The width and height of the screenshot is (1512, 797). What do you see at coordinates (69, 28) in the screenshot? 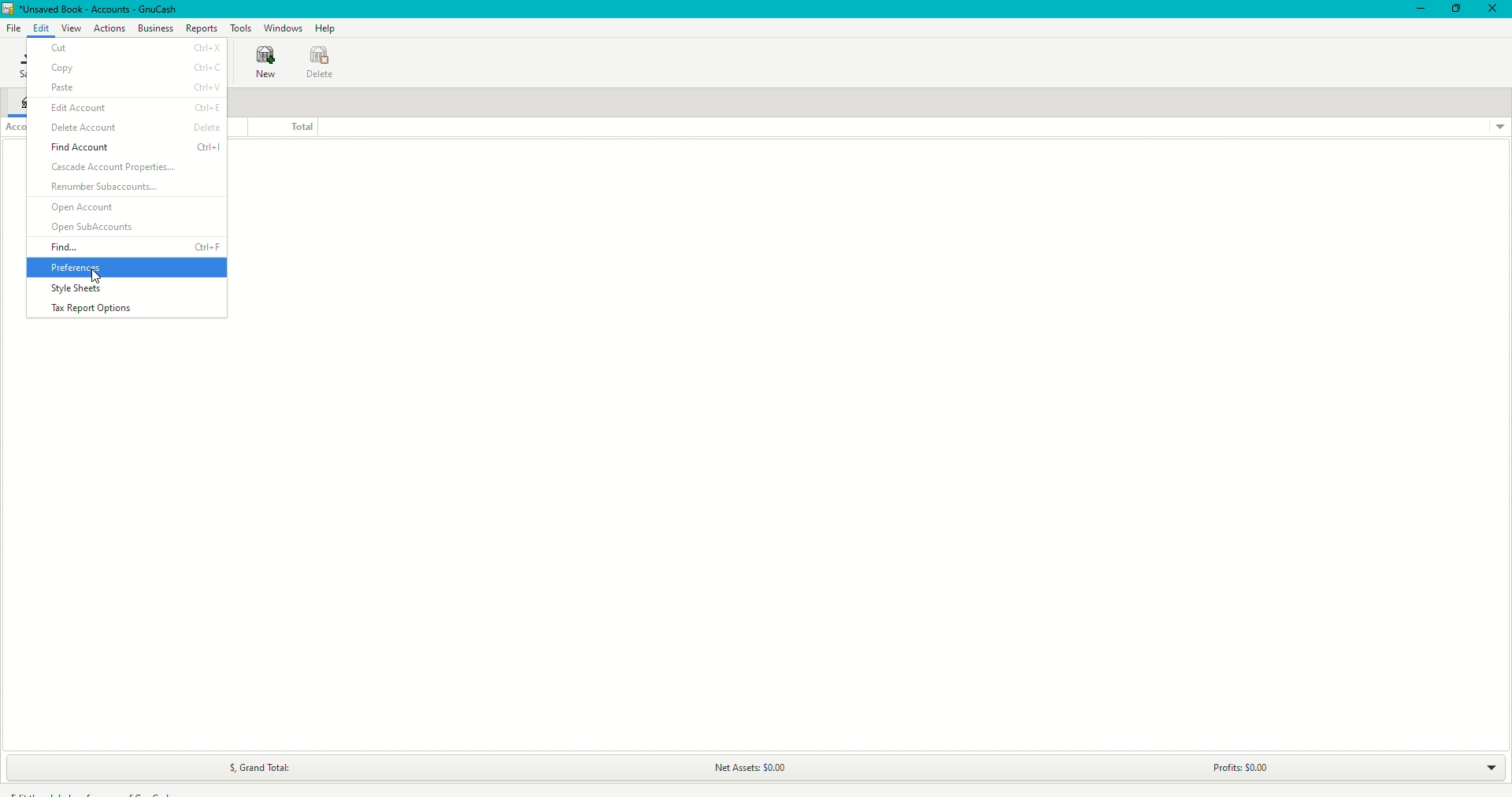
I see `View` at bounding box center [69, 28].